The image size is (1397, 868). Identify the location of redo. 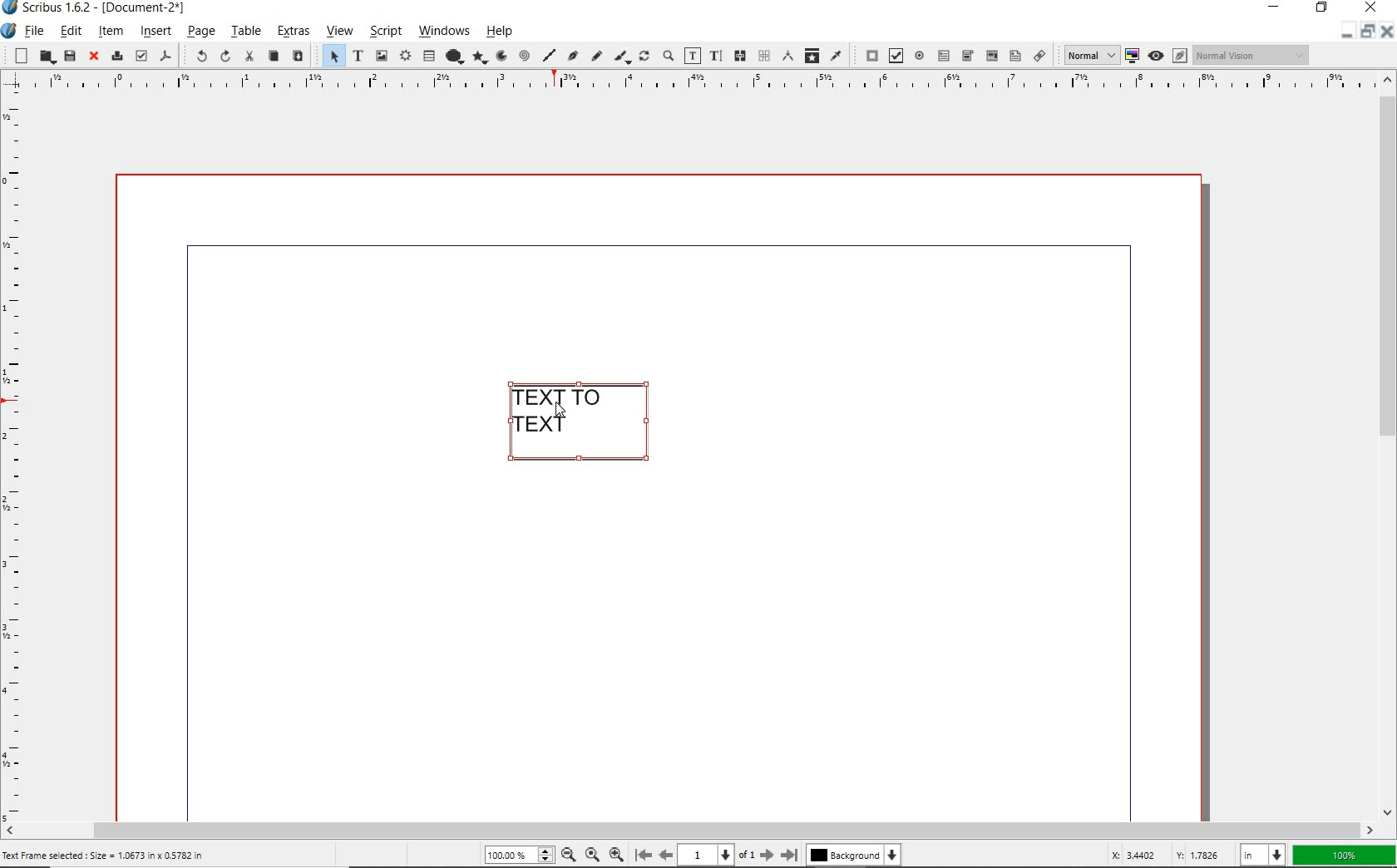
(224, 57).